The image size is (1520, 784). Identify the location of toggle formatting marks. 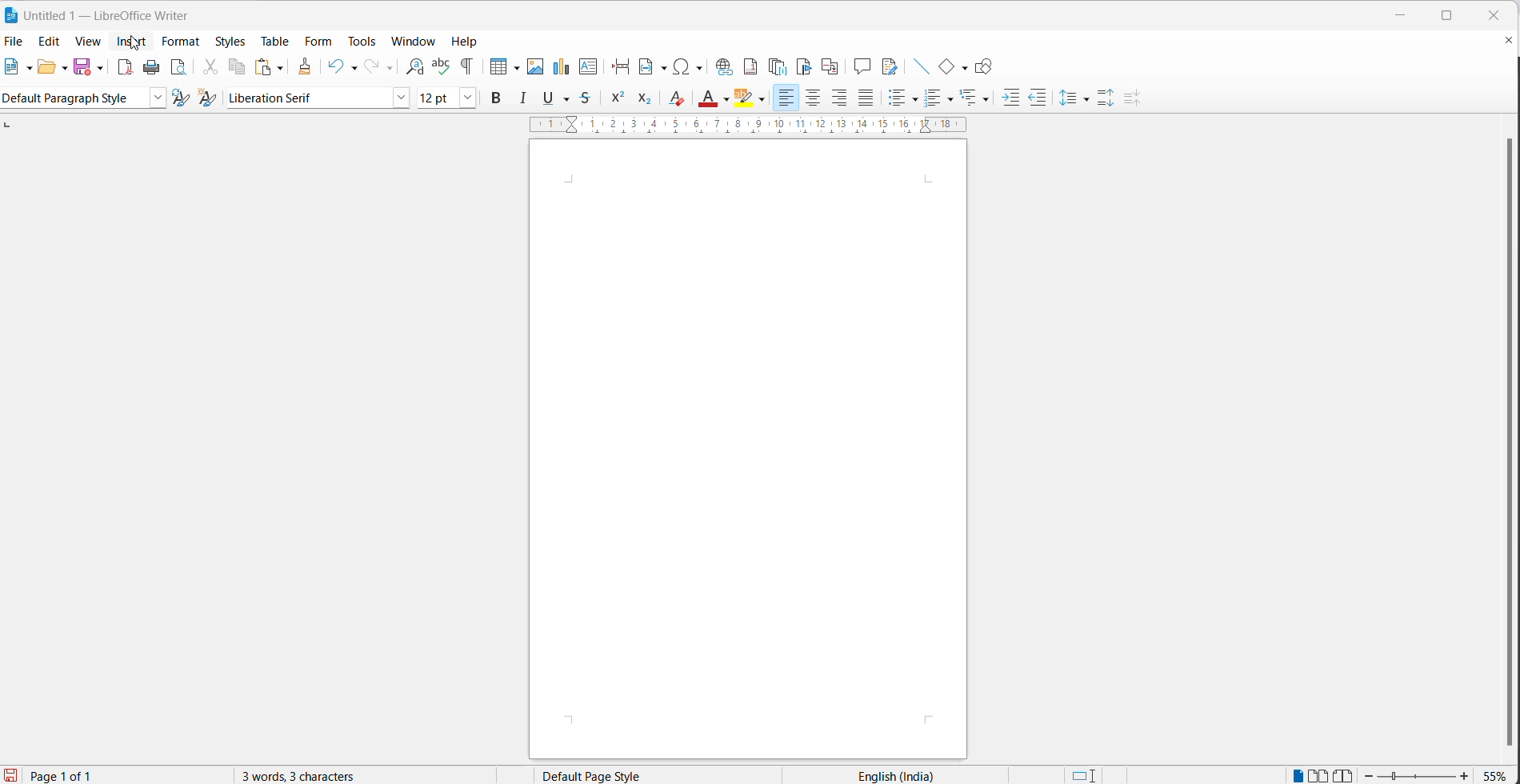
(464, 67).